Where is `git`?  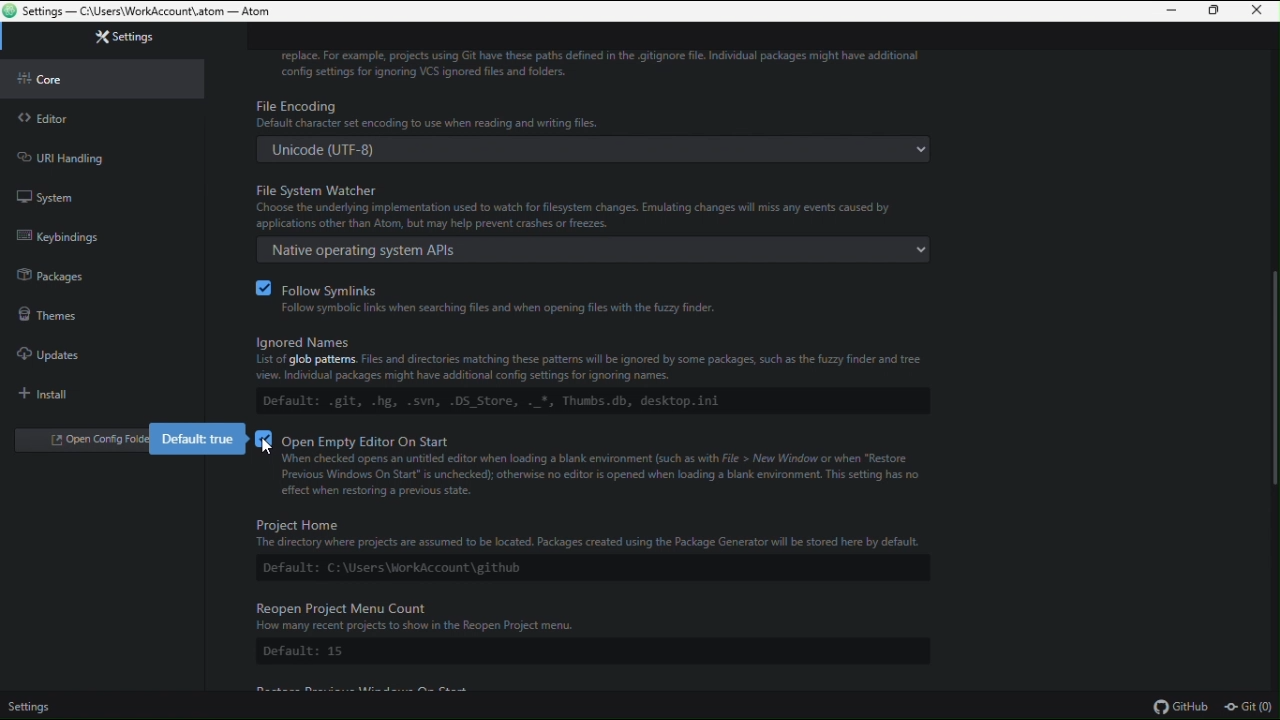
git is located at coordinates (1251, 707).